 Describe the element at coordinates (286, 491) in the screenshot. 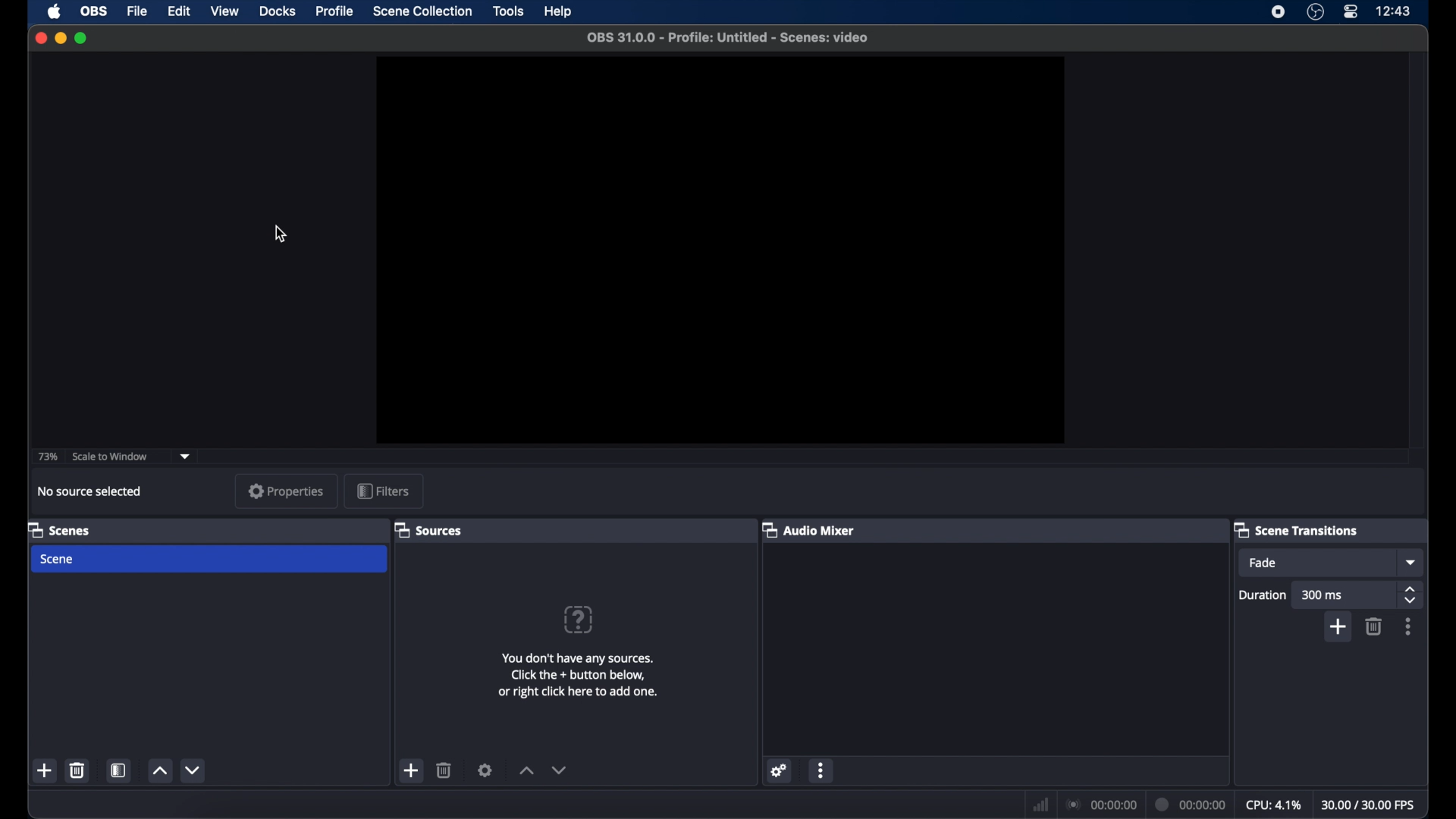

I see `properties` at that location.